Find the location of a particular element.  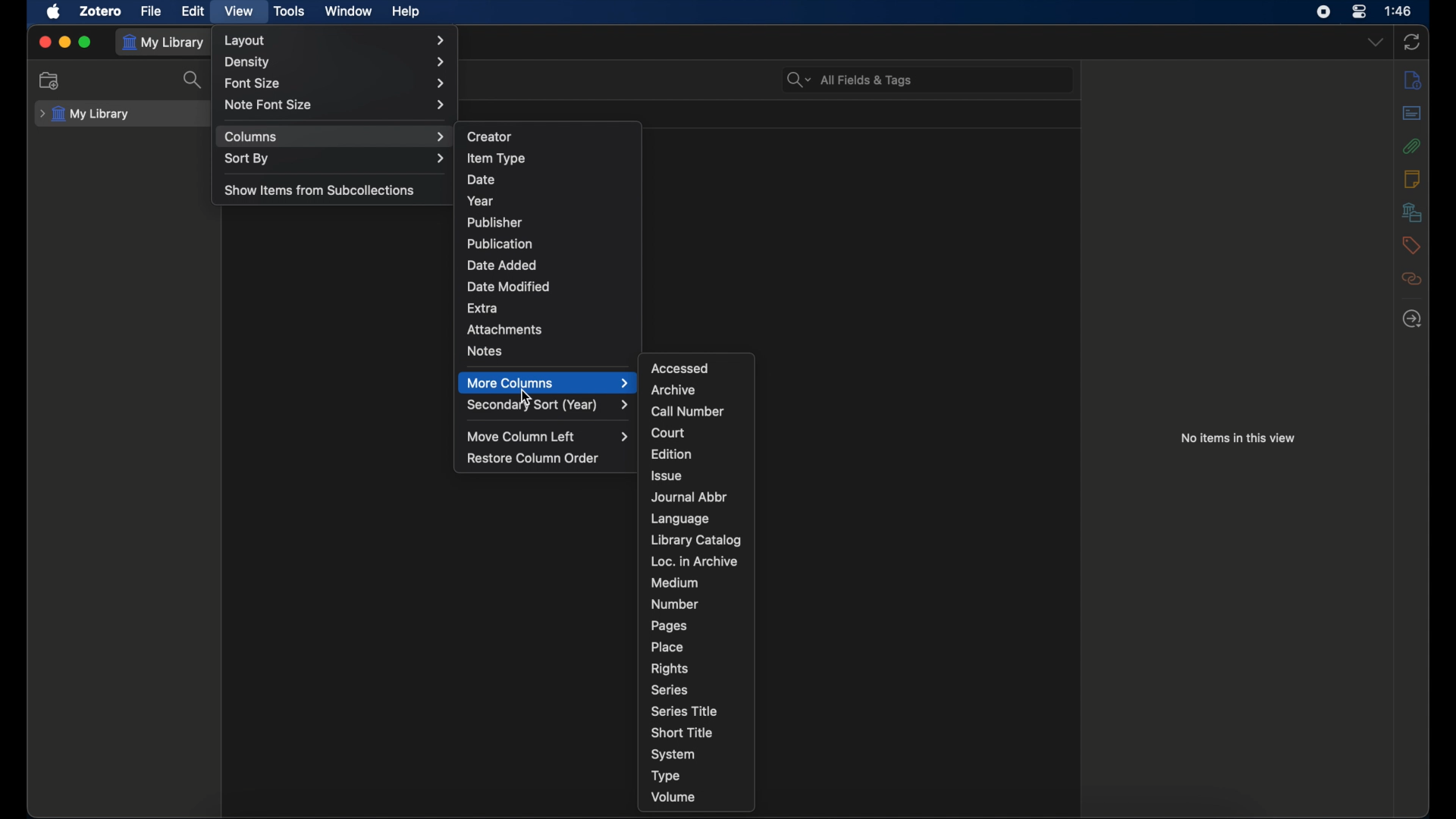

secondary sort is located at coordinates (549, 406).